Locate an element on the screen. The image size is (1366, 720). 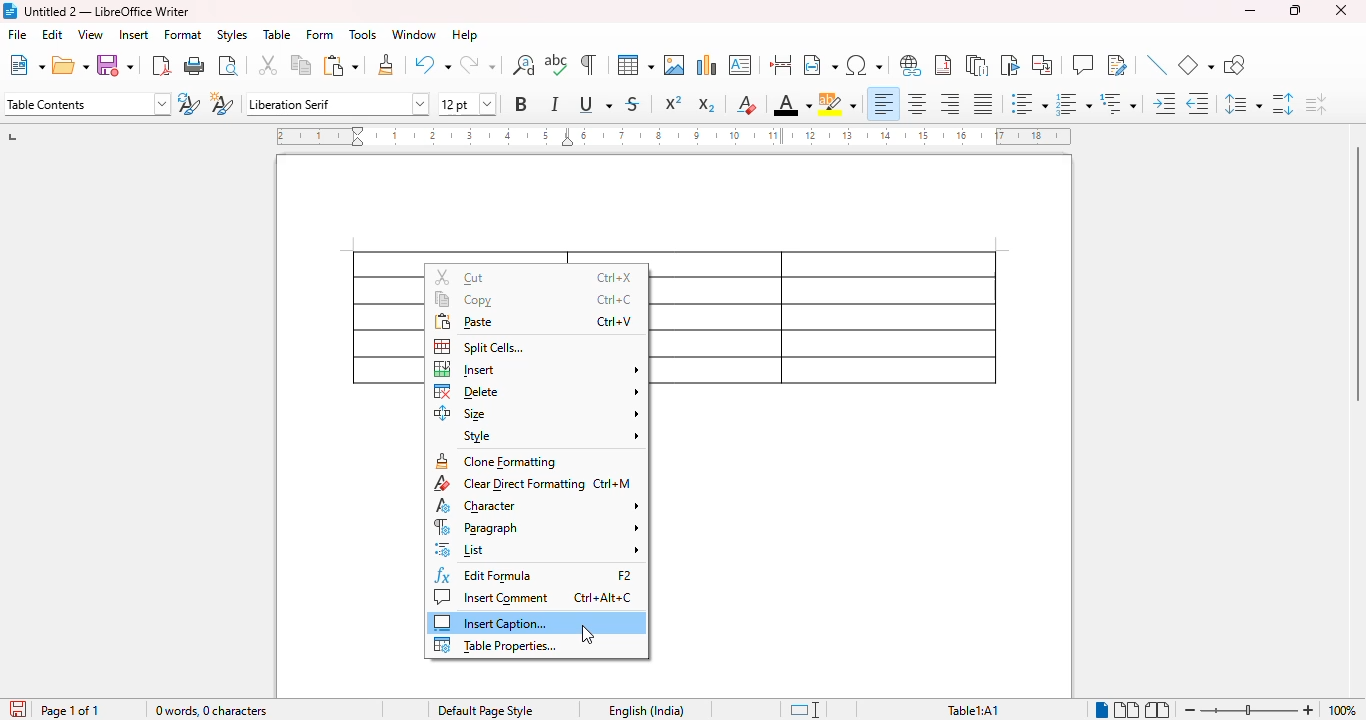
insert chart is located at coordinates (708, 65).